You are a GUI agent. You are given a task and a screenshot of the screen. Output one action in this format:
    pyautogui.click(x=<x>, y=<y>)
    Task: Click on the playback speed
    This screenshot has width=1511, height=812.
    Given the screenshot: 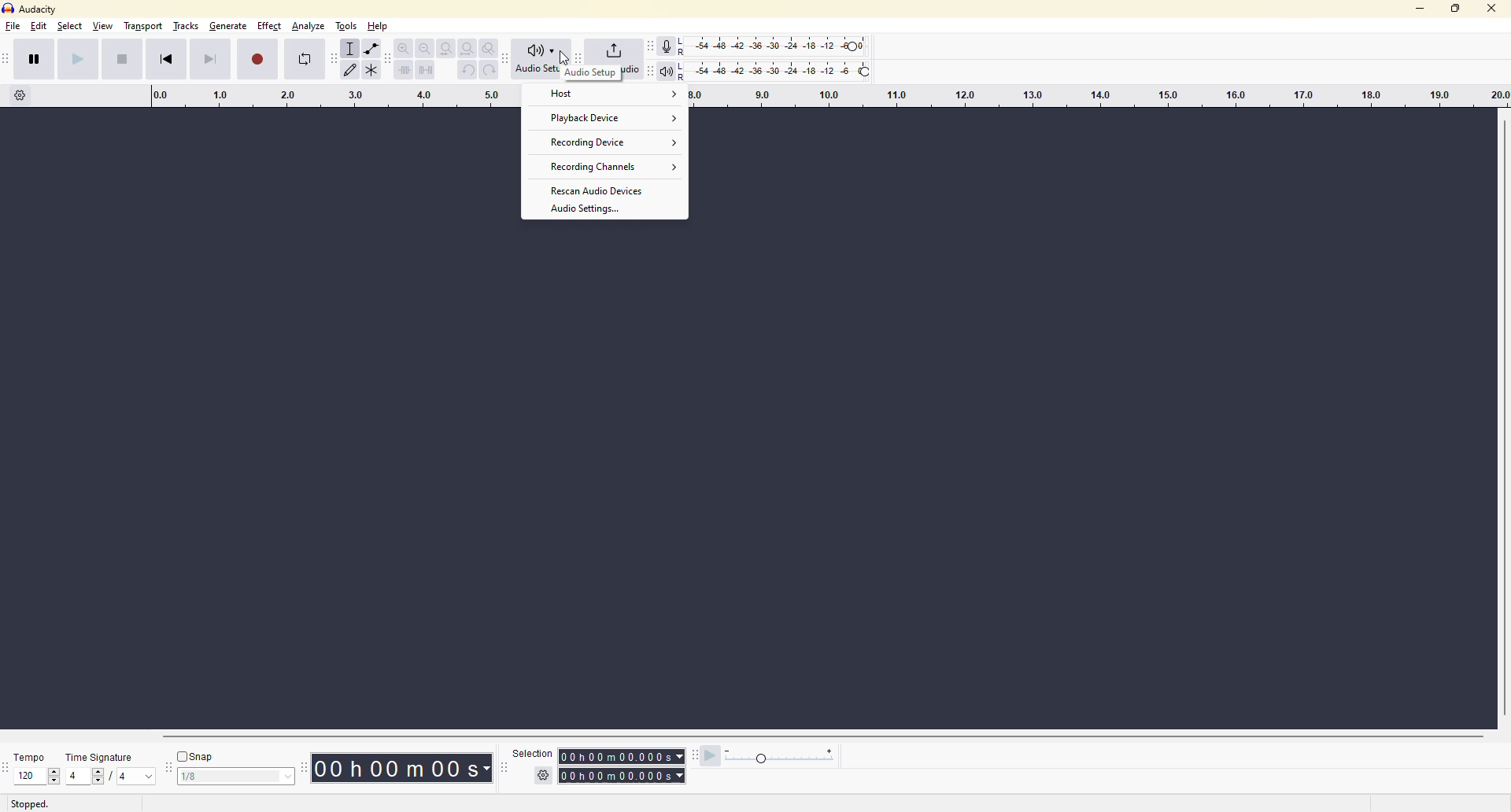 What is the action you would take?
    pyautogui.click(x=791, y=758)
    